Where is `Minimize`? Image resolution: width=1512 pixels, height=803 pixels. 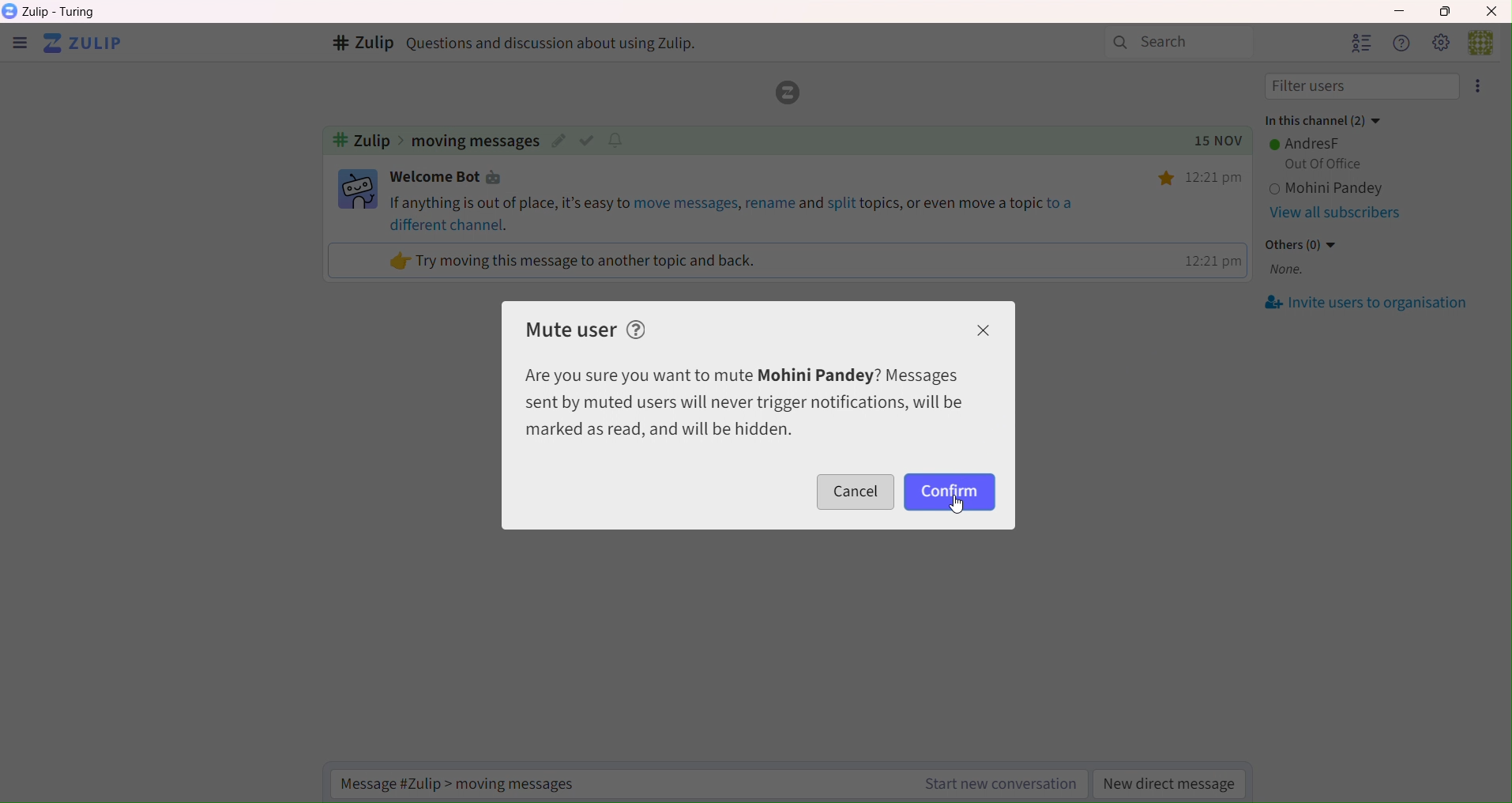
Minimize is located at coordinates (1397, 9).